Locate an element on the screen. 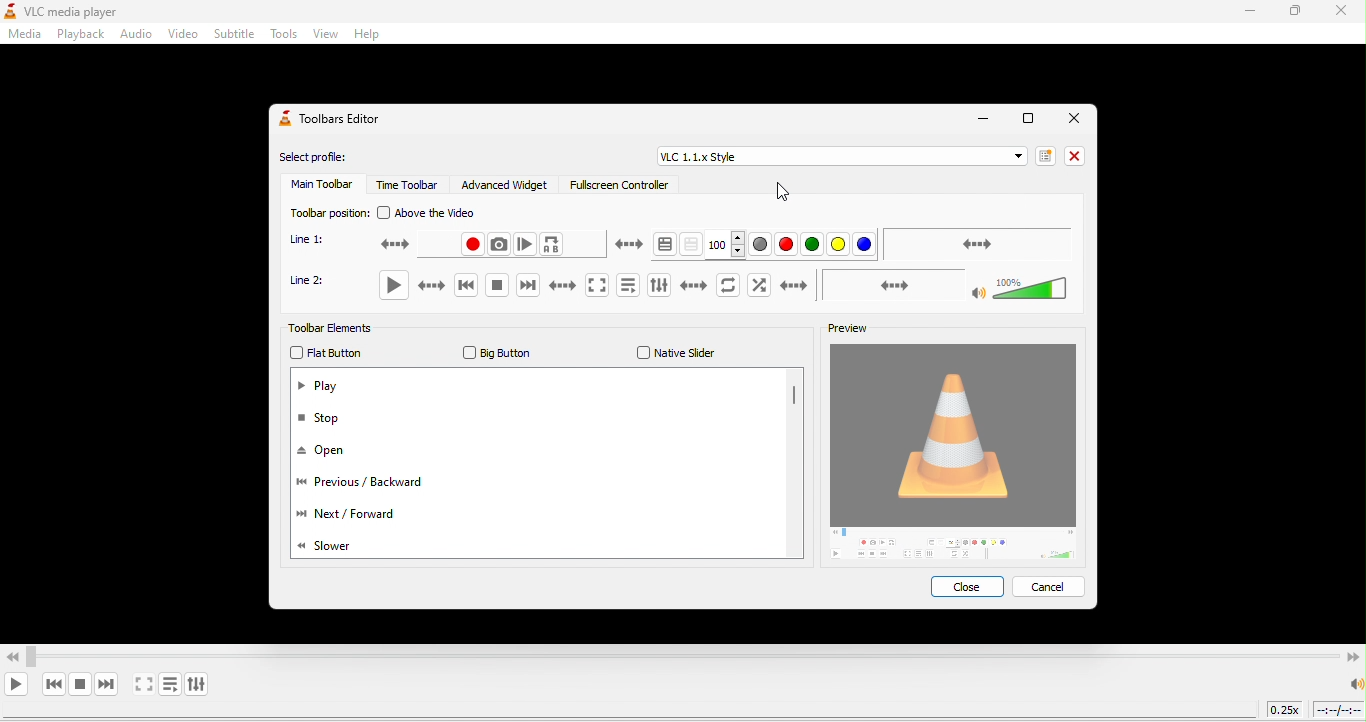 This screenshot has height=722, width=1366. video is located at coordinates (181, 35).